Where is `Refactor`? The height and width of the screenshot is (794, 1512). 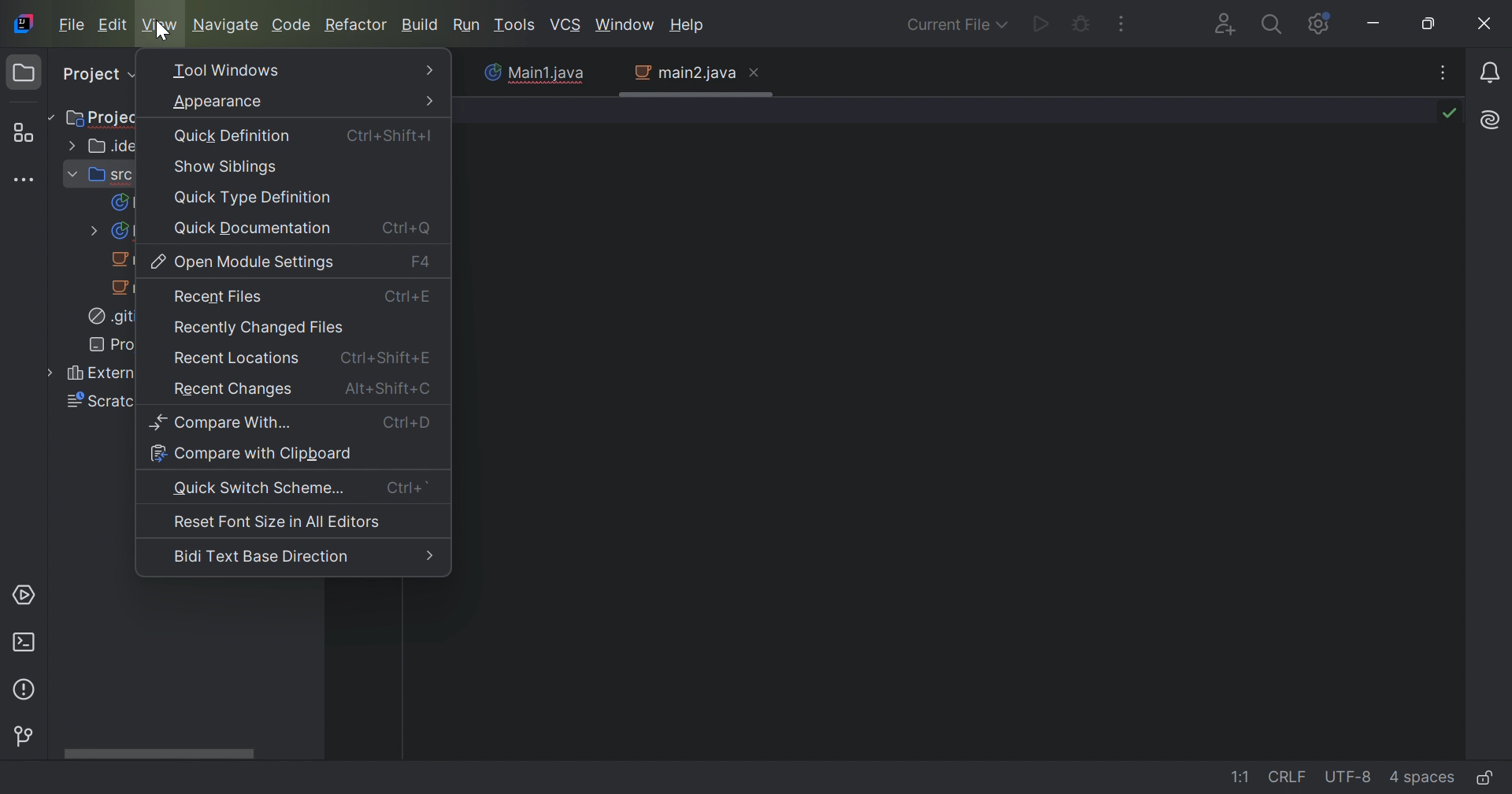
Refactor is located at coordinates (358, 26).